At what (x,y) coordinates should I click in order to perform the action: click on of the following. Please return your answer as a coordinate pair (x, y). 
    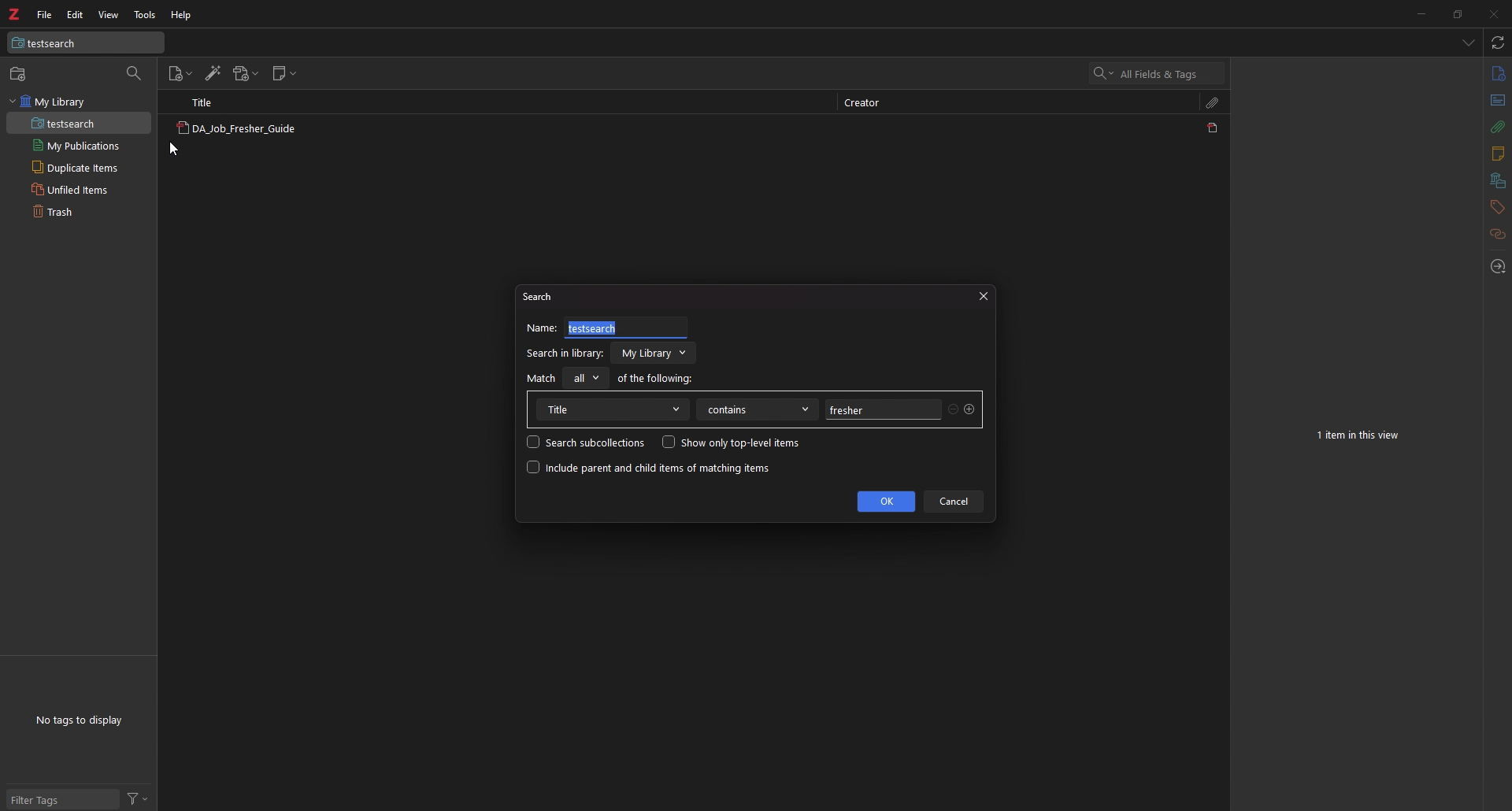
    Looking at the image, I should click on (656, 377).